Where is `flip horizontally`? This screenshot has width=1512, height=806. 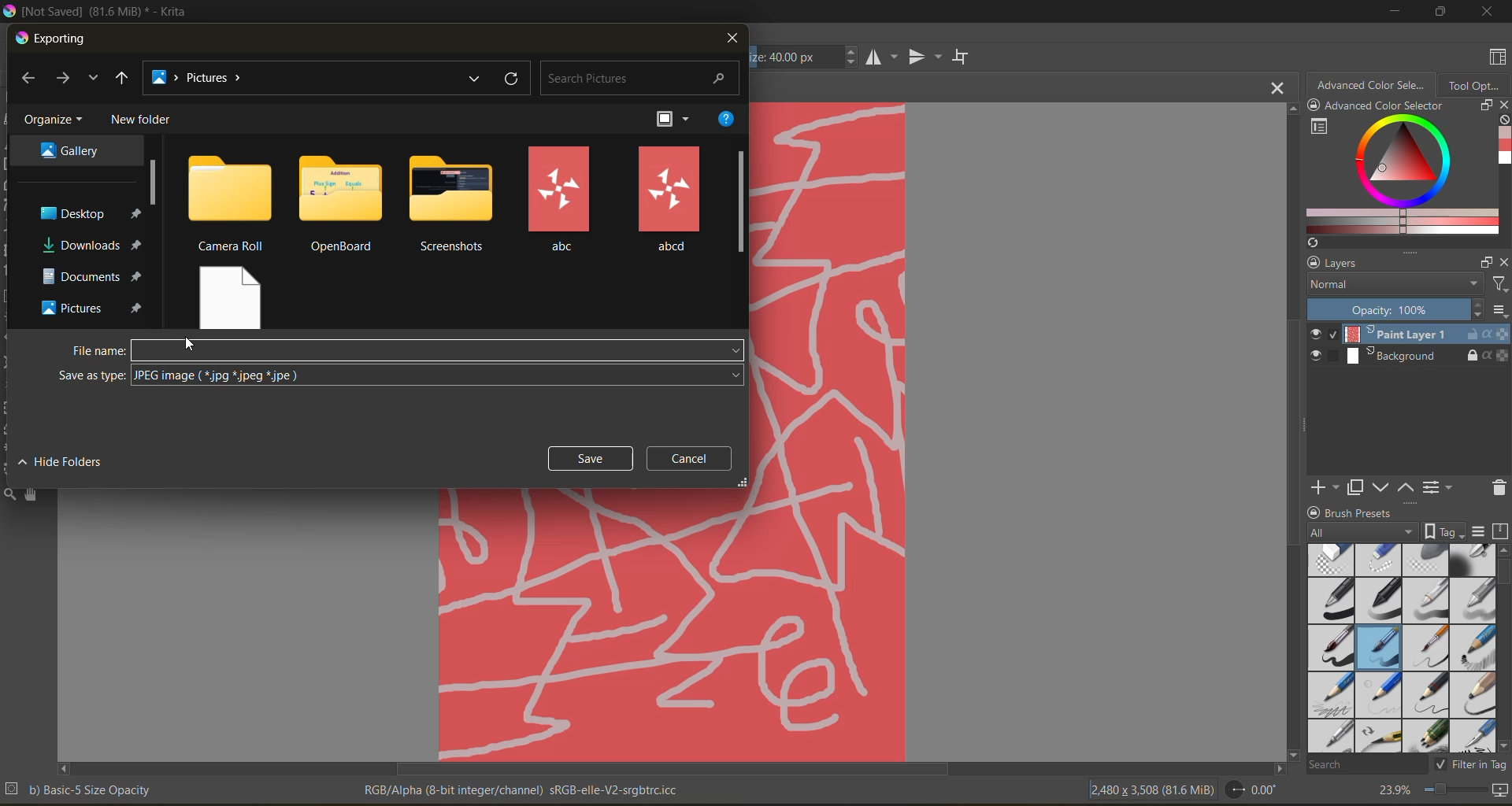
flip horizontally is located at coordinates (879, 57).